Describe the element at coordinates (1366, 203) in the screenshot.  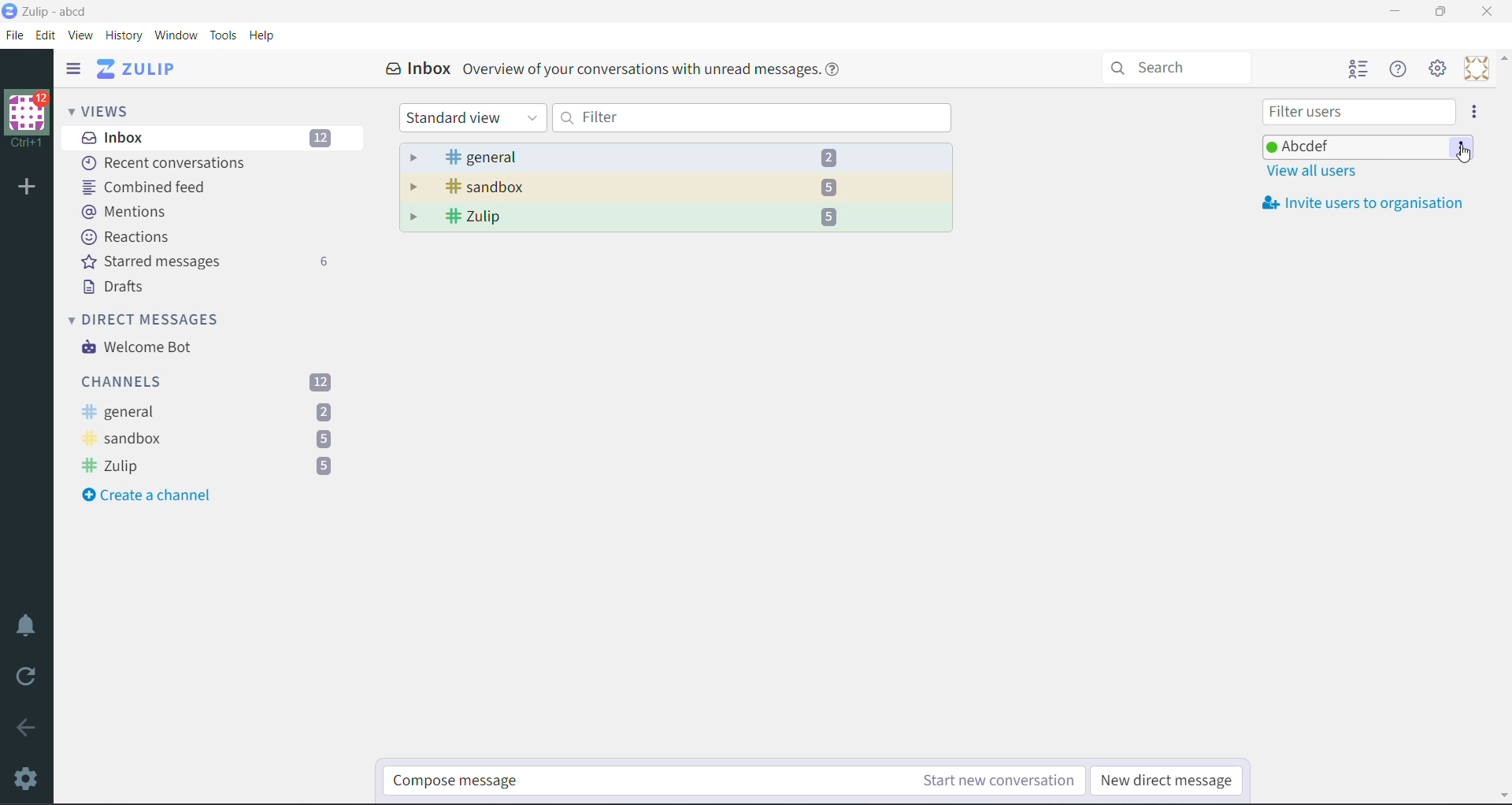
I see `Invite users to oraganization` at that location.